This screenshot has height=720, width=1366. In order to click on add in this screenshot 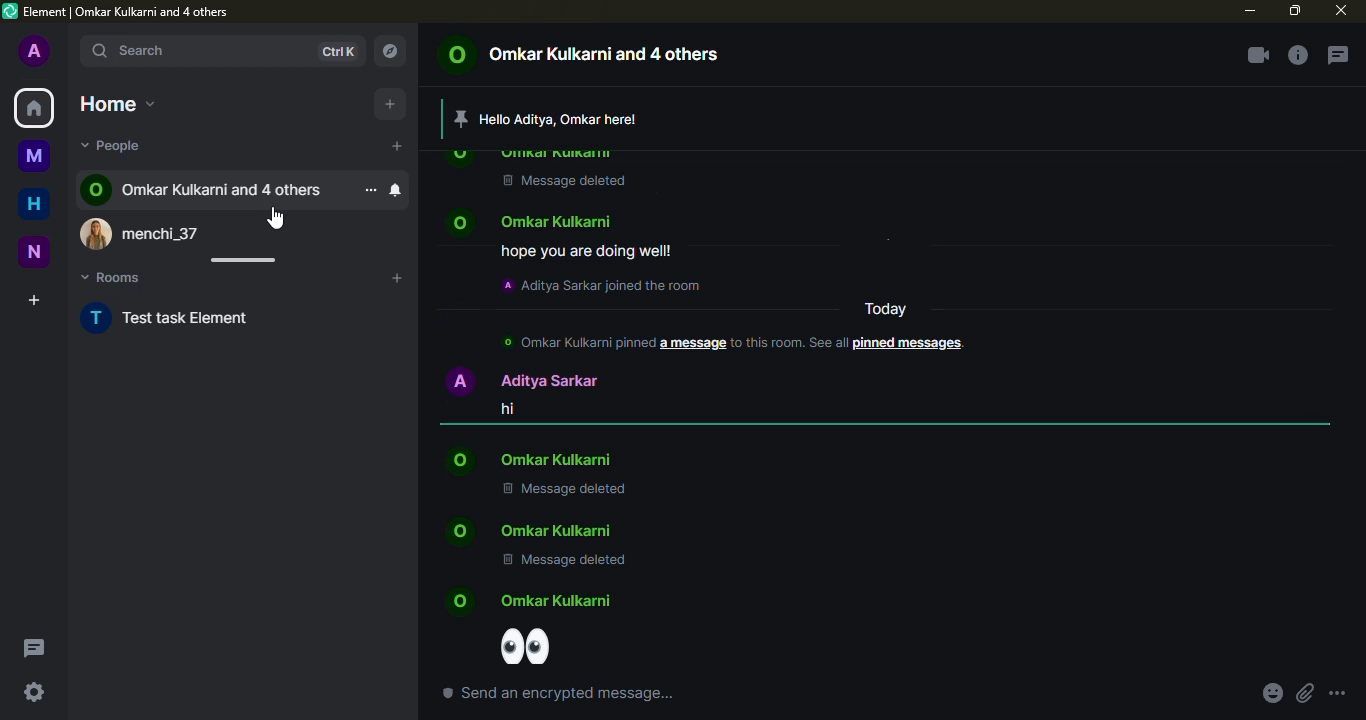, I will do `click(390, 102)`.